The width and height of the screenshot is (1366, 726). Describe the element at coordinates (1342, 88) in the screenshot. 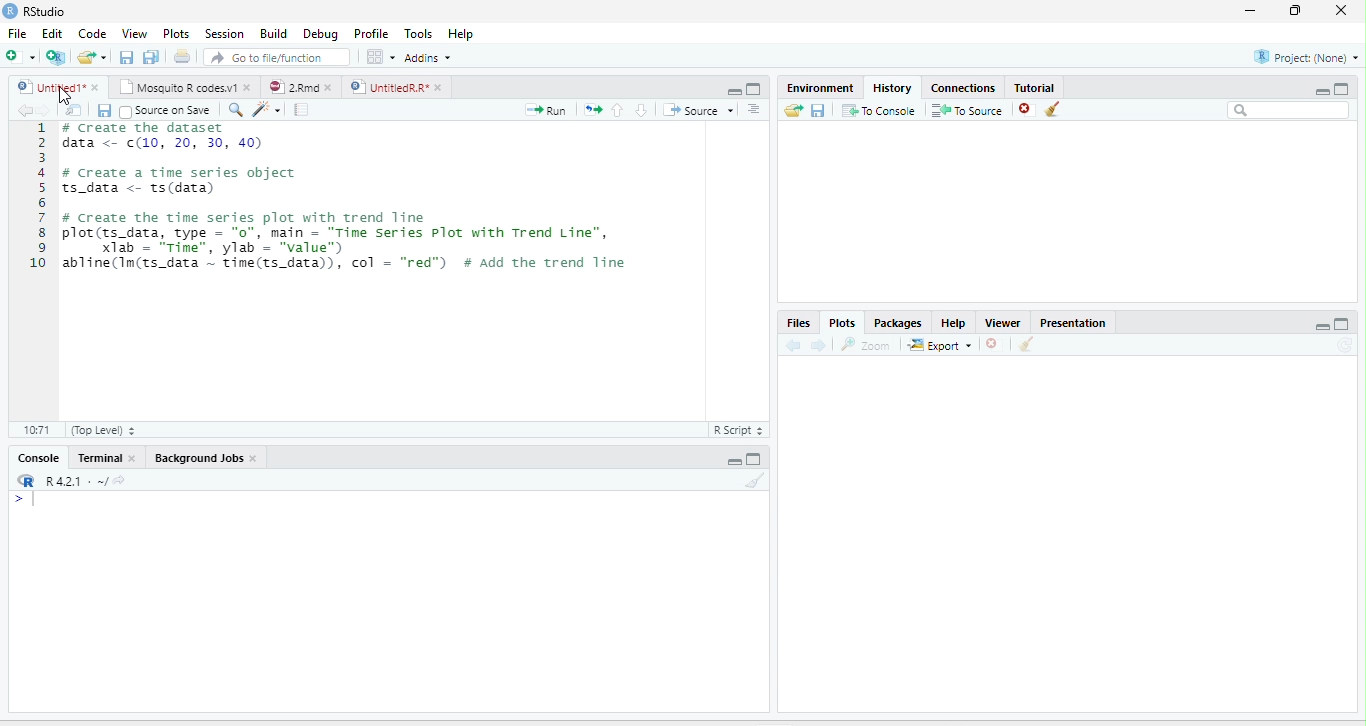

I see `Maximize` at that location.